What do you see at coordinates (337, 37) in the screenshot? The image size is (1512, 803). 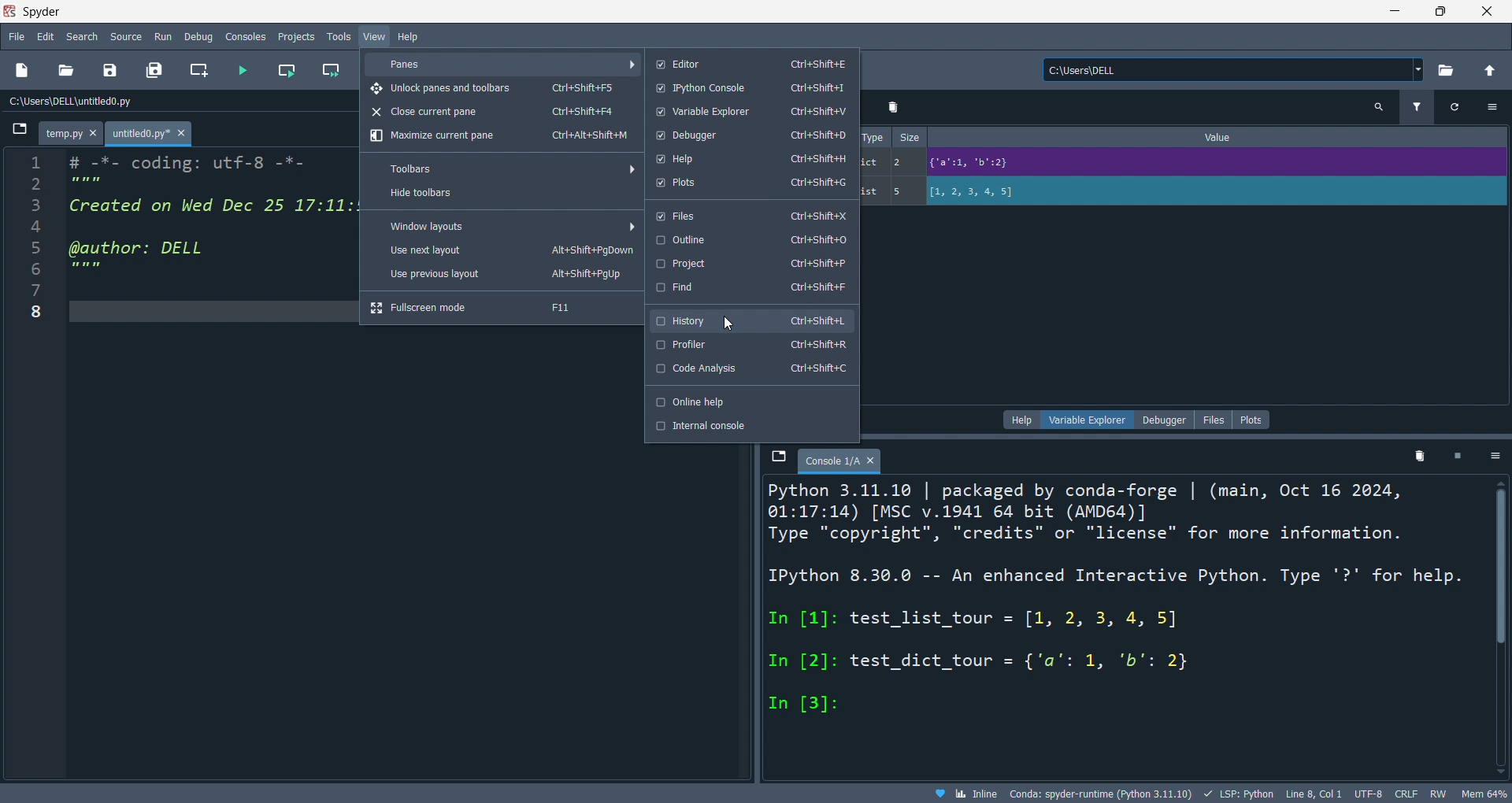 I see `tools` at bounding box center [337, 37].